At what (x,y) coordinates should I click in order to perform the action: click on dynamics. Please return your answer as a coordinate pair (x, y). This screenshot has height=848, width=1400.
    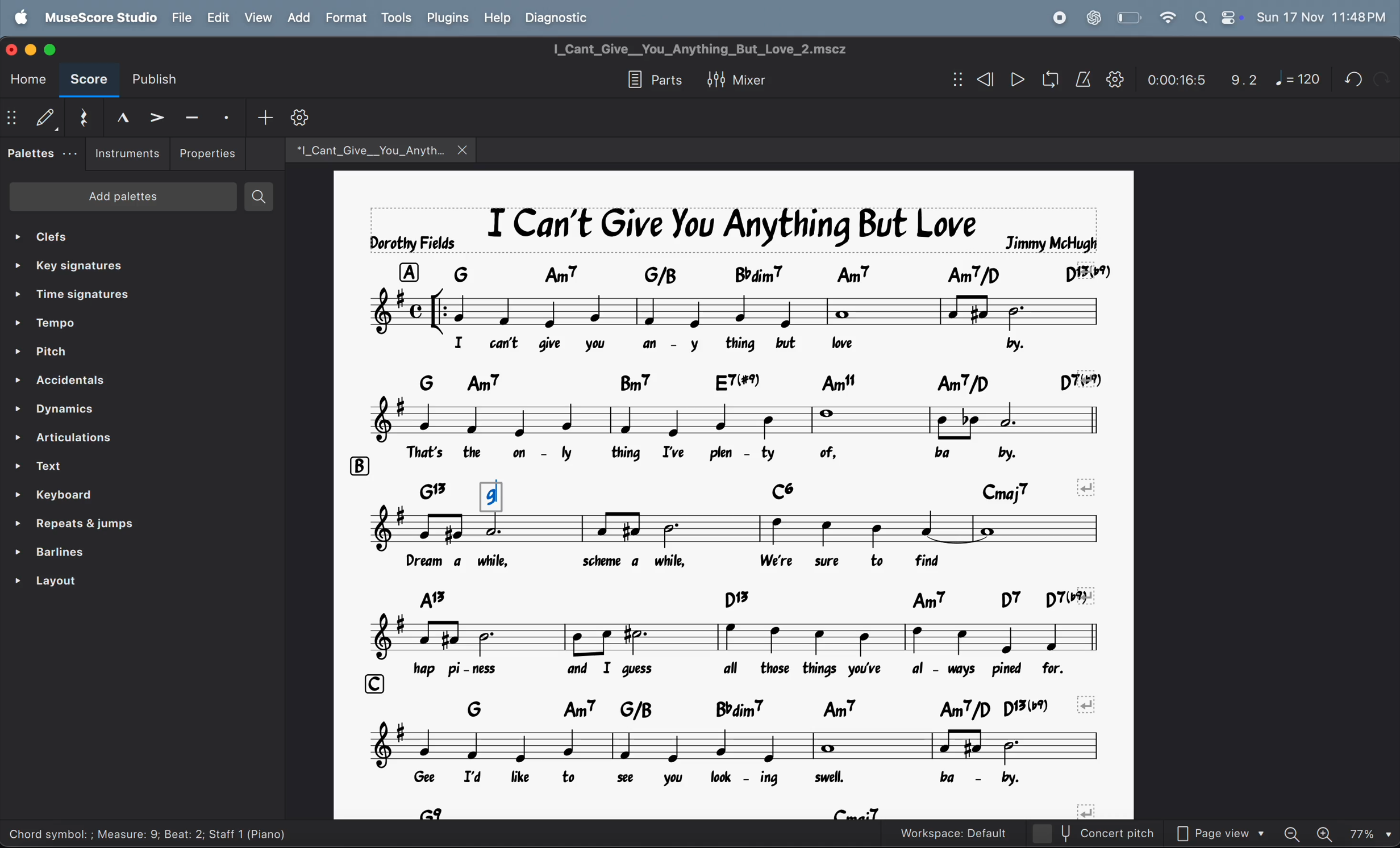
    Looking at the image, I should click on (123, 412).